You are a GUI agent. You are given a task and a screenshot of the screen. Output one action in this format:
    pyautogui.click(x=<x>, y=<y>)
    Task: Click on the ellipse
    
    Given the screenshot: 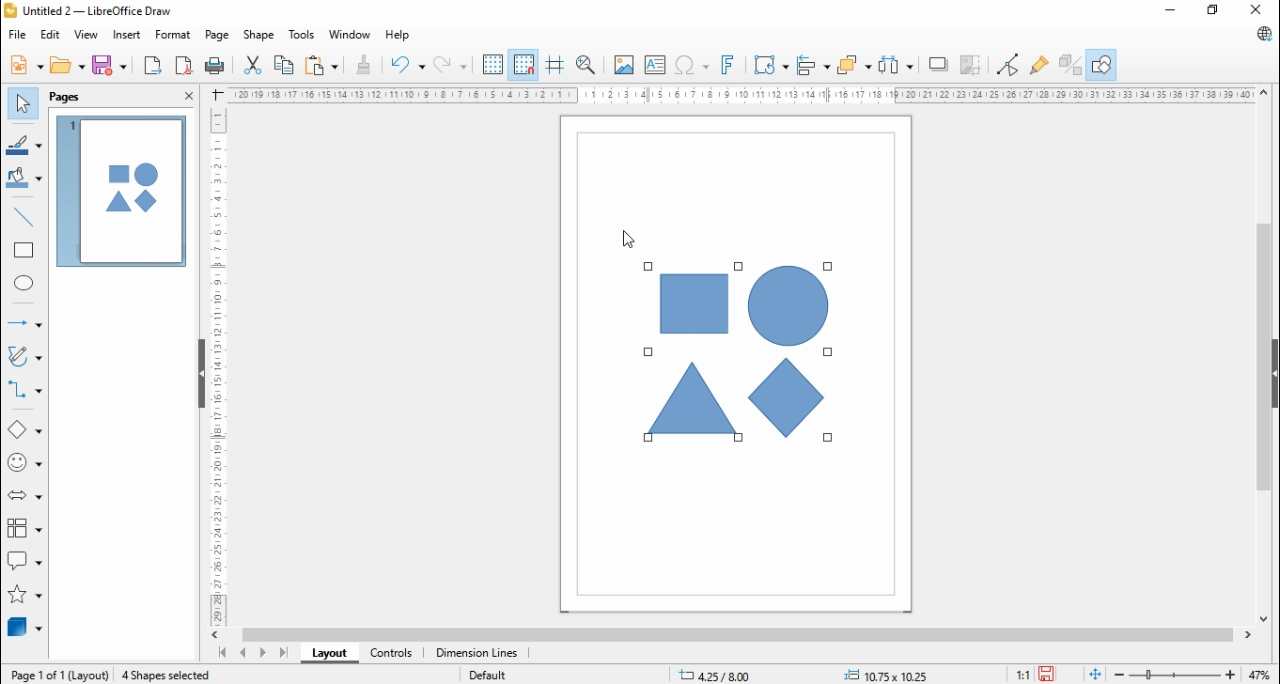 What is the action you would take?
    pyautogui.click(x=26, y=285)
    